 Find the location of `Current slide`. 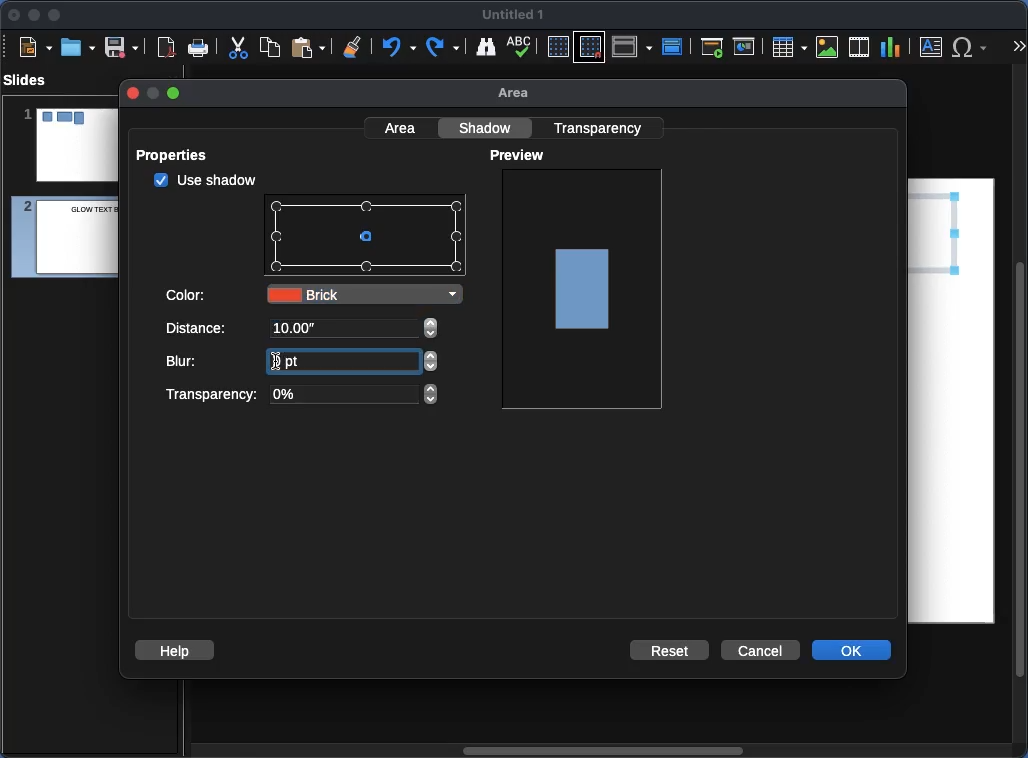

Current slide is located at coordinates (747, 47).